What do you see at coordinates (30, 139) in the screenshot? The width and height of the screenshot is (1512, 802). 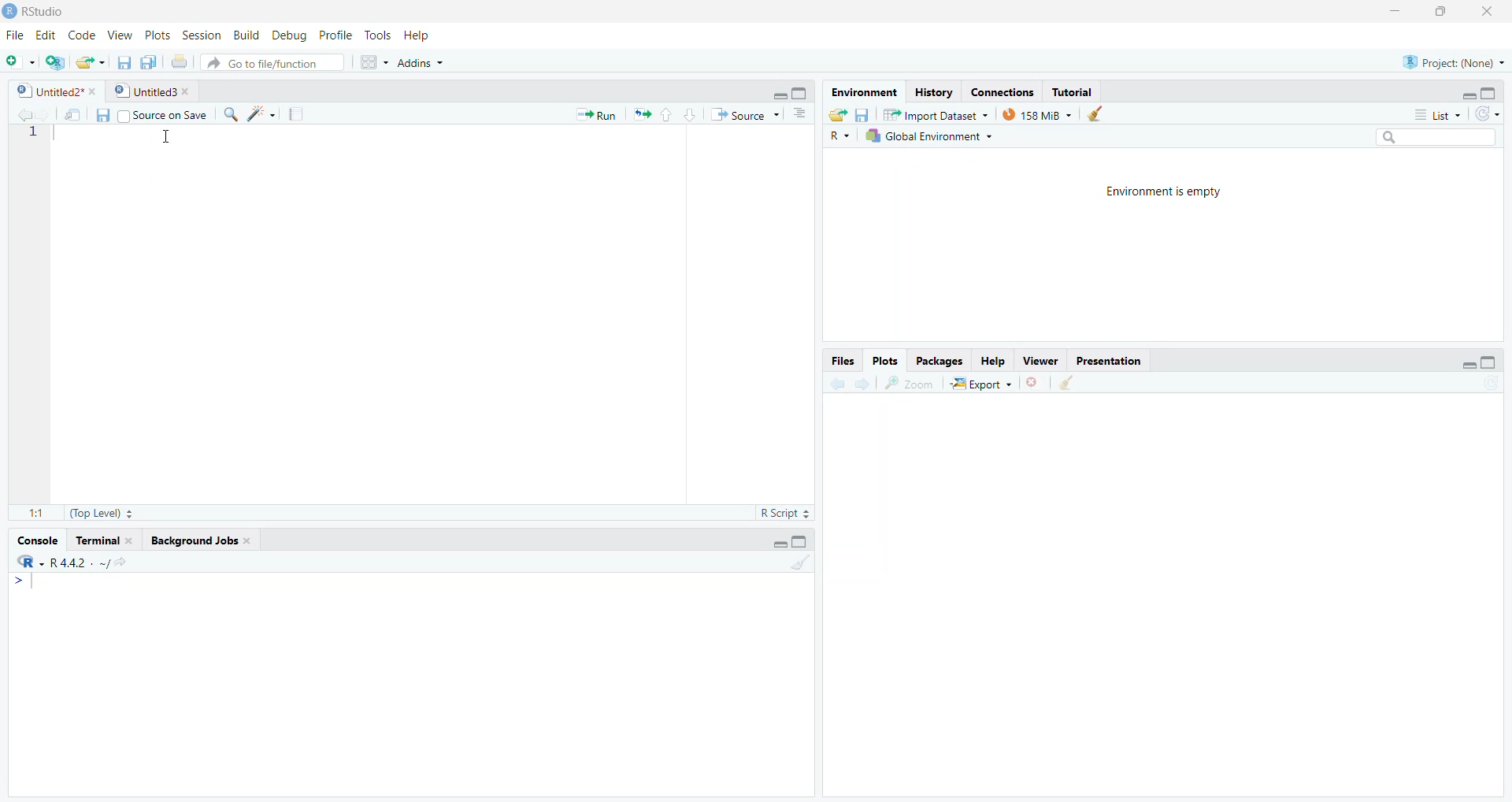 I see `1` at bounding box center [30, 139].